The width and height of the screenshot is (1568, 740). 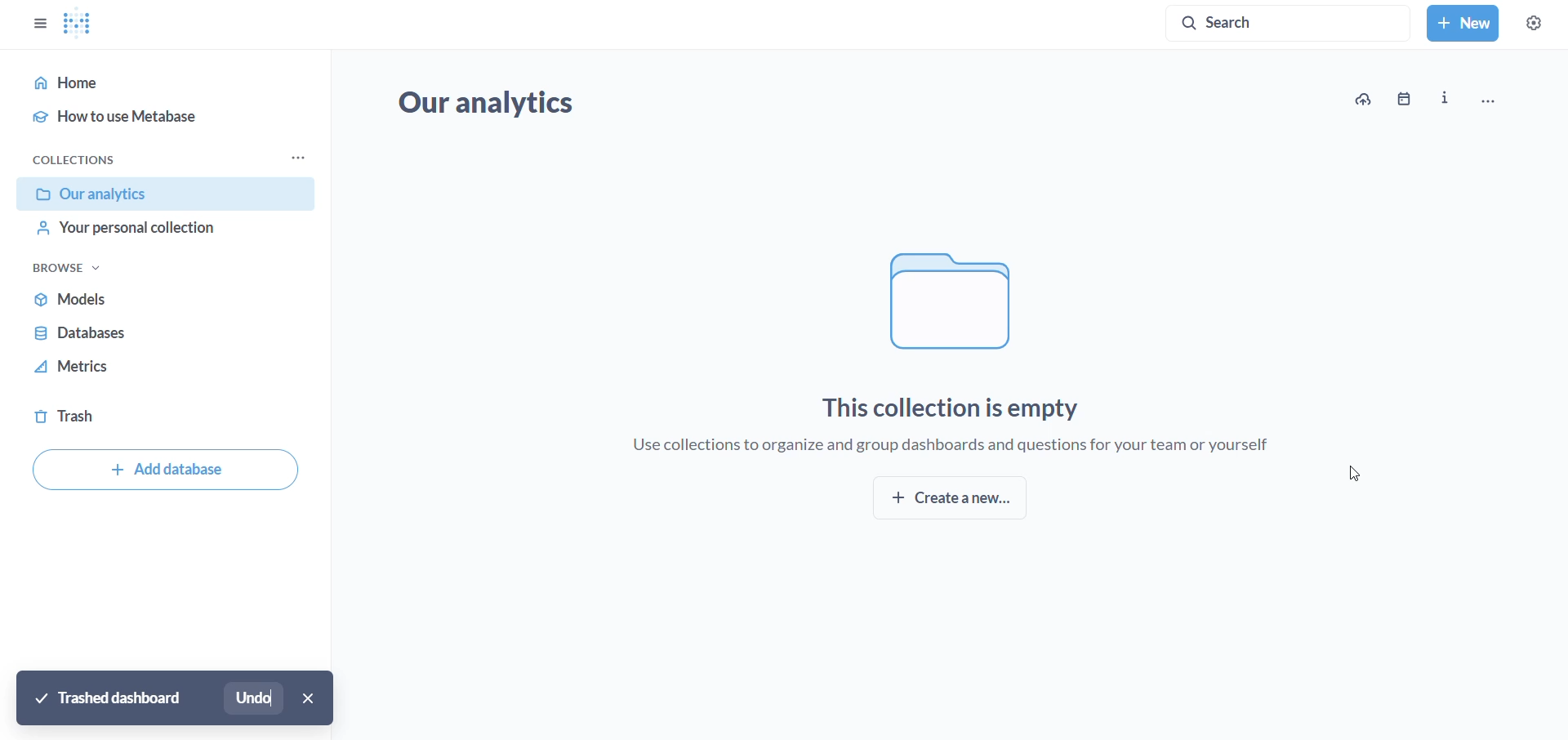 What do you see at coordinates (158, 114) in the screenshot?
I see `how to use metabase` at bounding box center [158, 114].